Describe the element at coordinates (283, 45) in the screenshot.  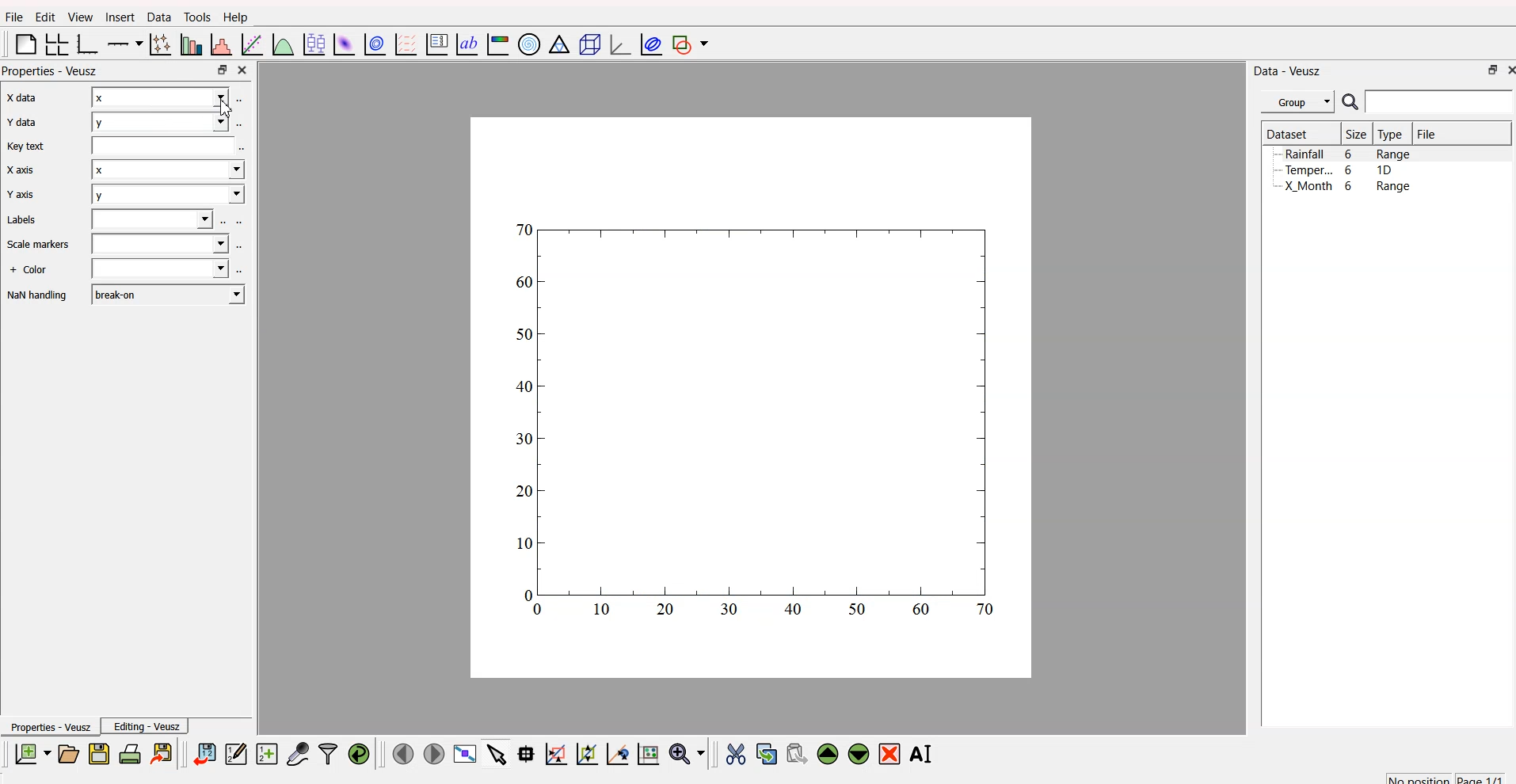
I see `plot function` at that location.